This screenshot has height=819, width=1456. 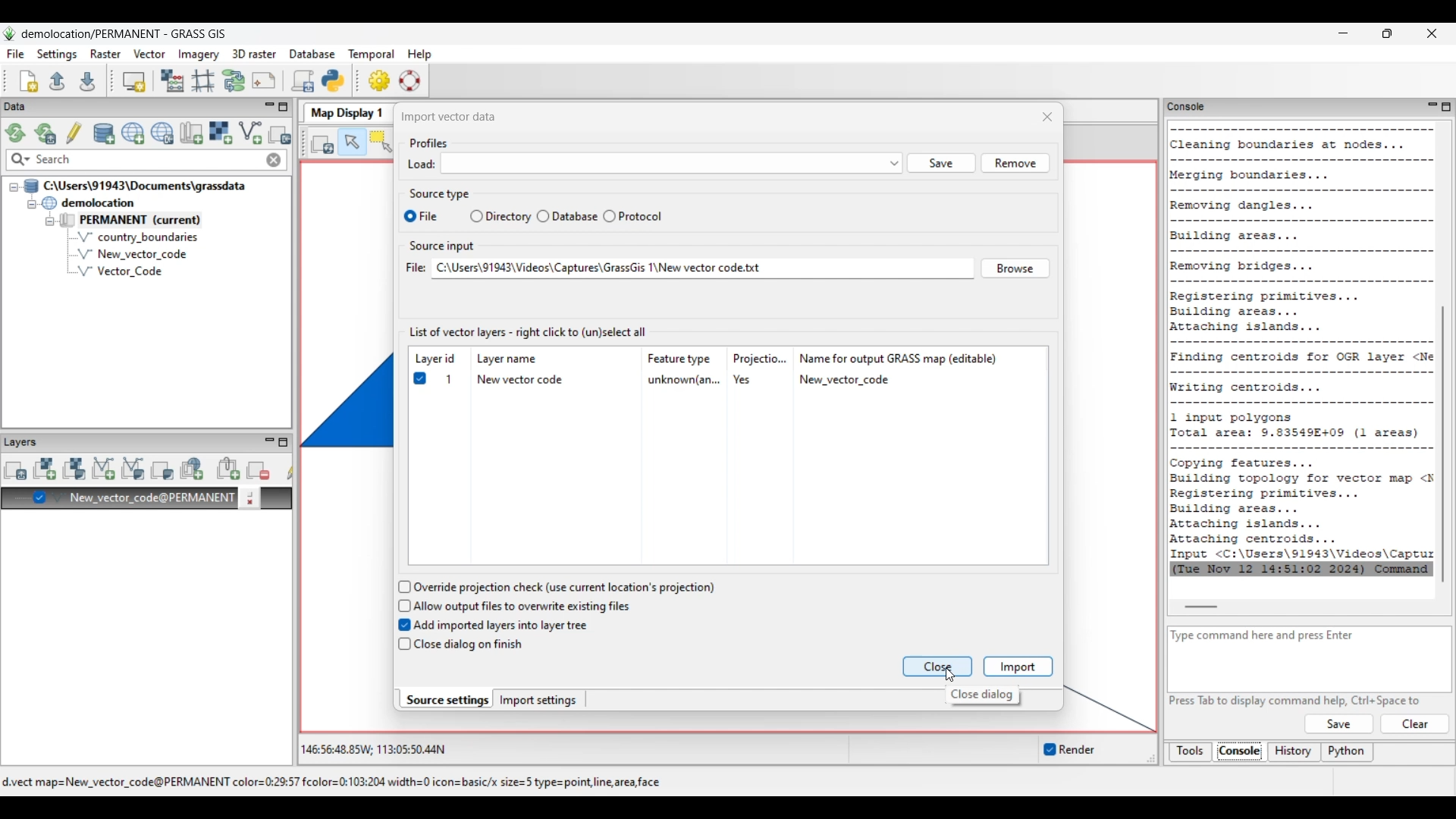 What do you see at coordinates (1430, 106) in the screenshot?
I see `Minimize Tools panel` at bounding box center [1430, 106].